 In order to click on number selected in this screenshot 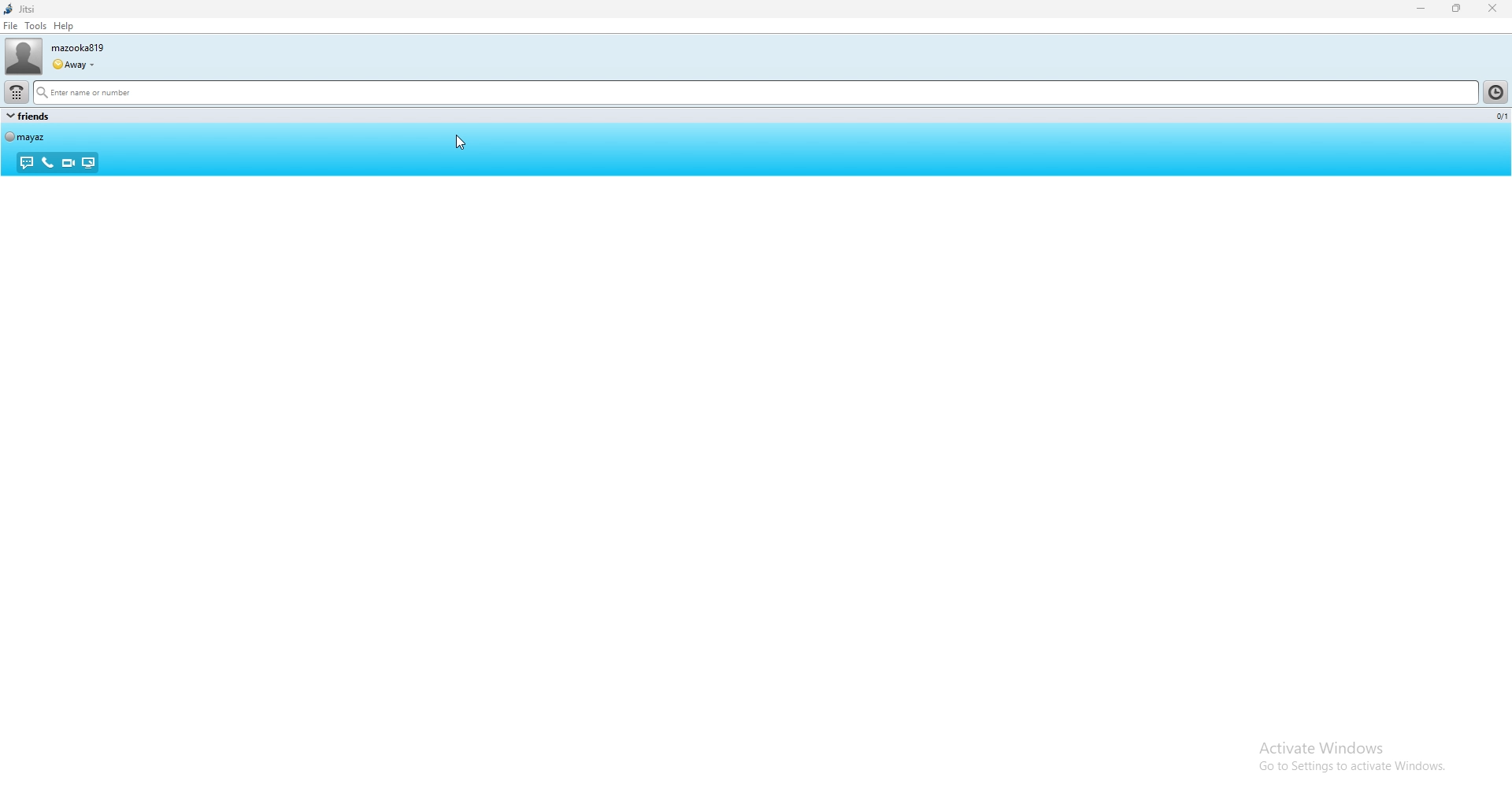, I will do `click(1499, 117)`.